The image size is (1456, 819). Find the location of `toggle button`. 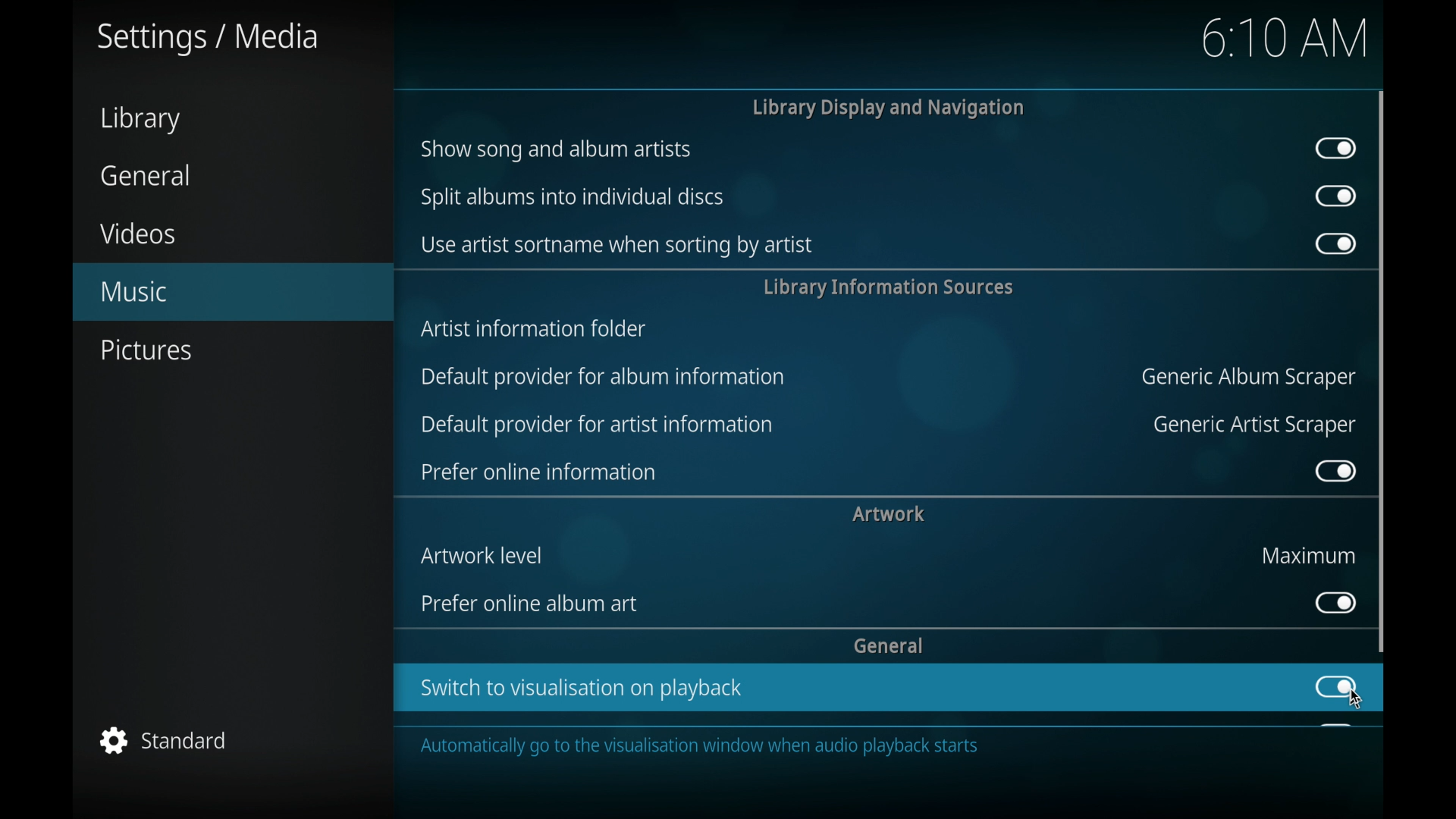

toggle button is located at coordinates (1334, 243).